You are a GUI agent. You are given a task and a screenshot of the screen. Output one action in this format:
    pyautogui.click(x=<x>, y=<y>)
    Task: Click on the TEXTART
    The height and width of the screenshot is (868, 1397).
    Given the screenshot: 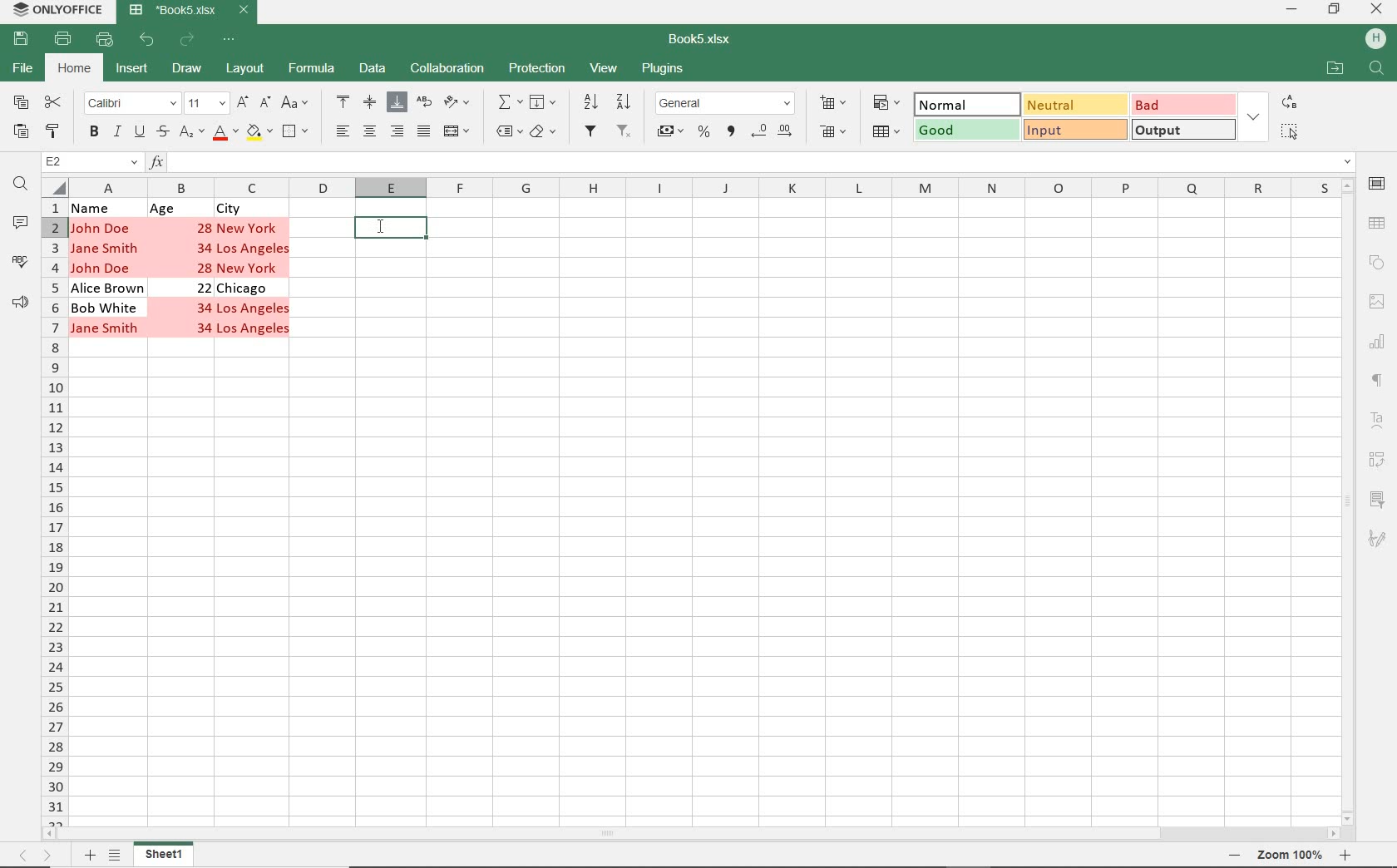 What is the action you would take?
    pyautogui.click(x=1375, y=421)
    